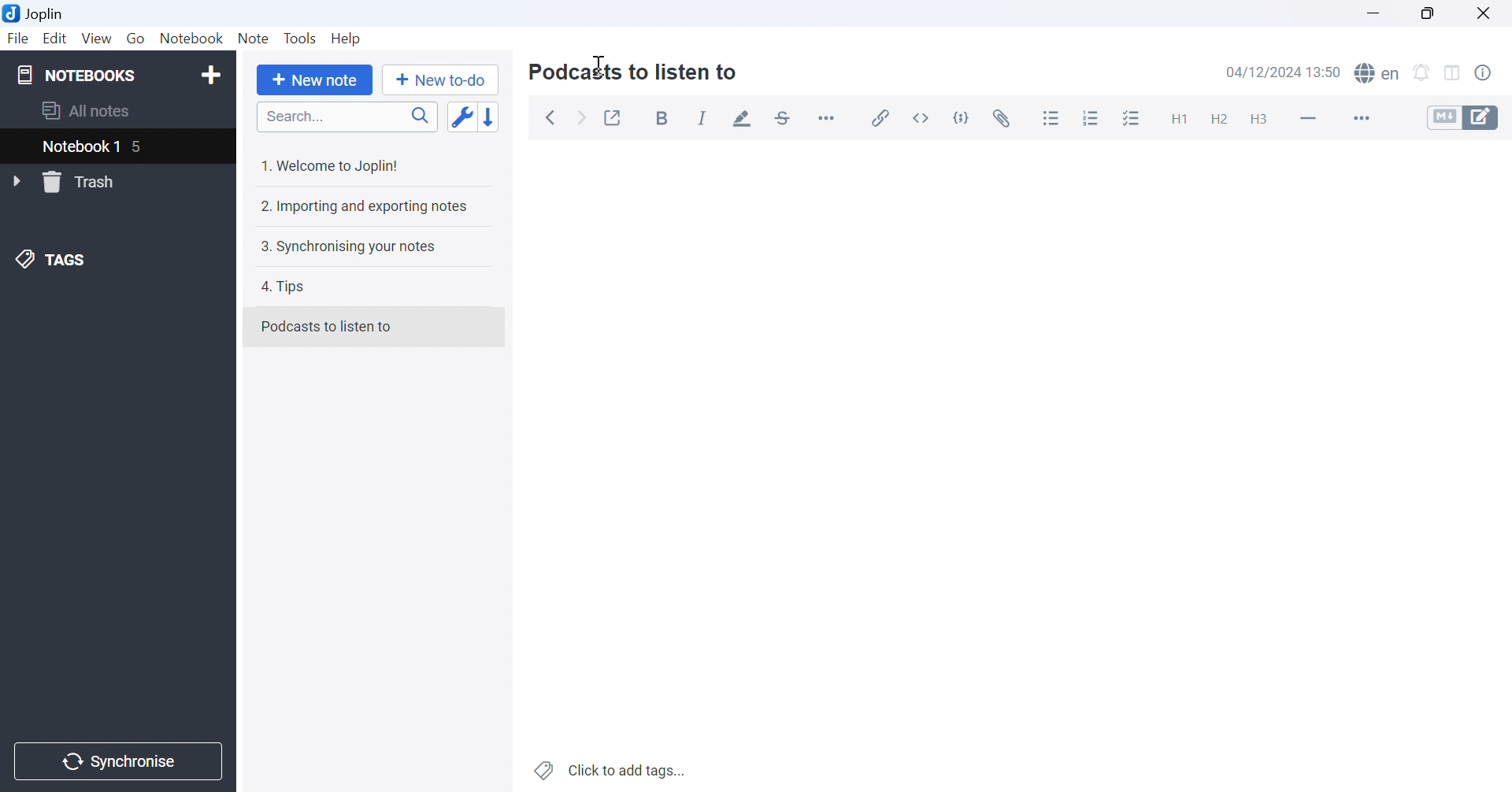 The height and width of the screenshot is (792, 1512). Describe the element at coordinates (135, 38) in the screenshot. I see `Go` at that location.